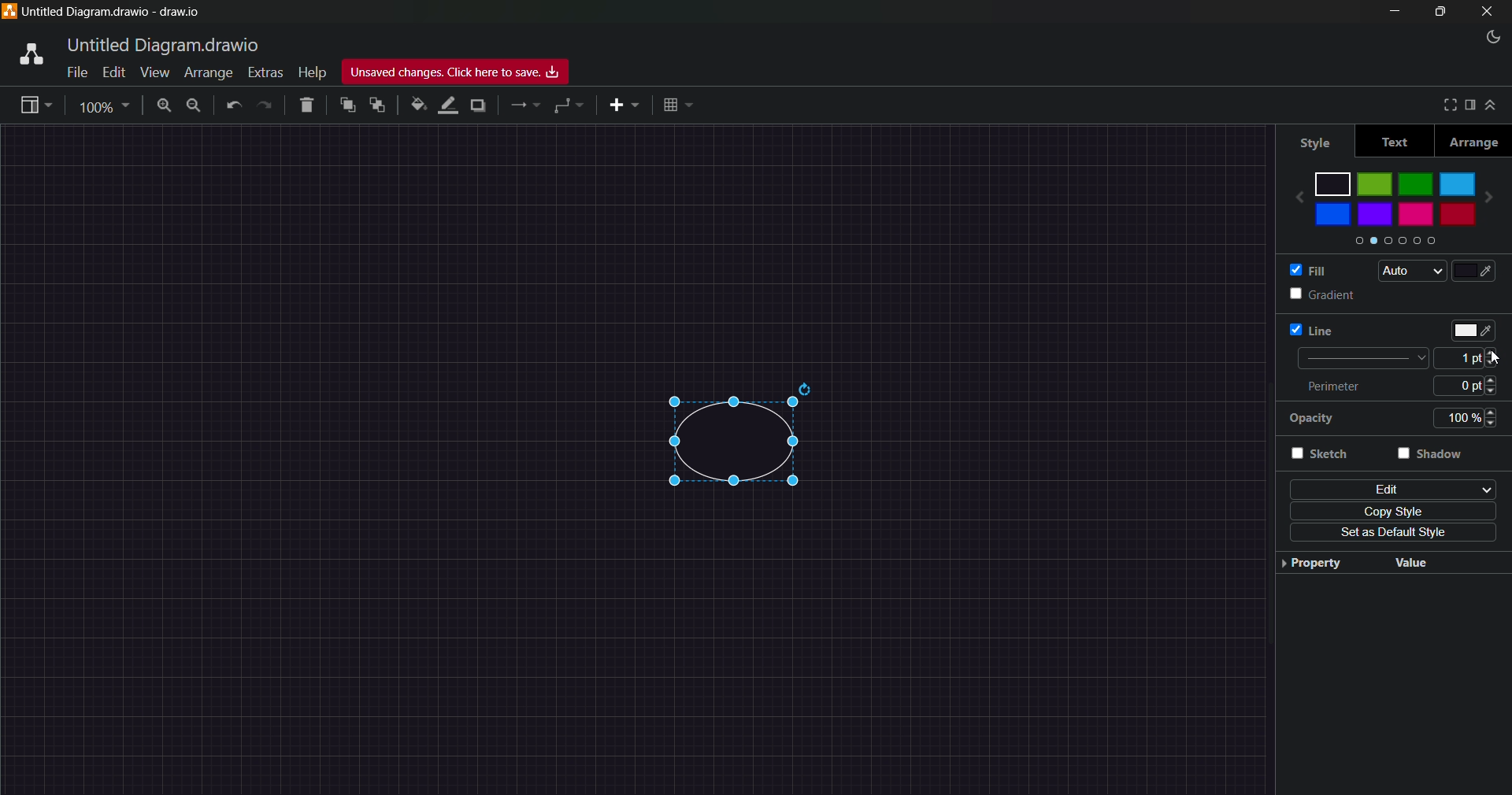 This screenshot has width=1512, height=795. I want to click on arrange, so click(1474, 140).